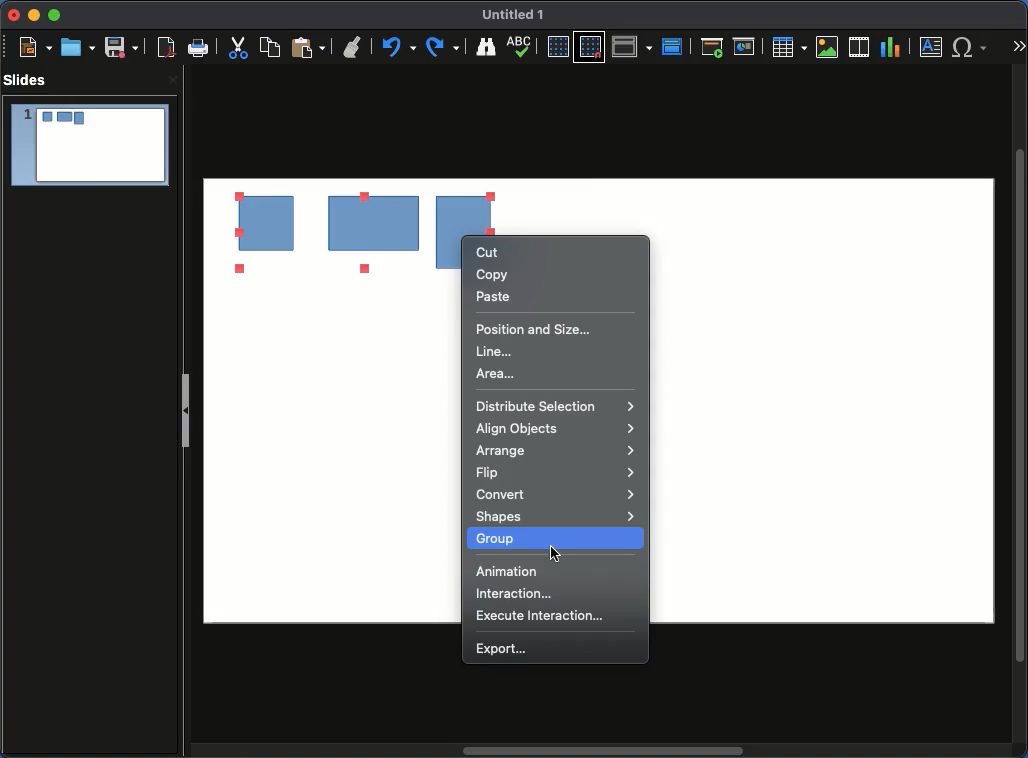 This screenshot has width=1028, height=758. What do you see at coordinates (510, 571) in the screenshot?
I see `Animation` at bounding box center [510, 571].